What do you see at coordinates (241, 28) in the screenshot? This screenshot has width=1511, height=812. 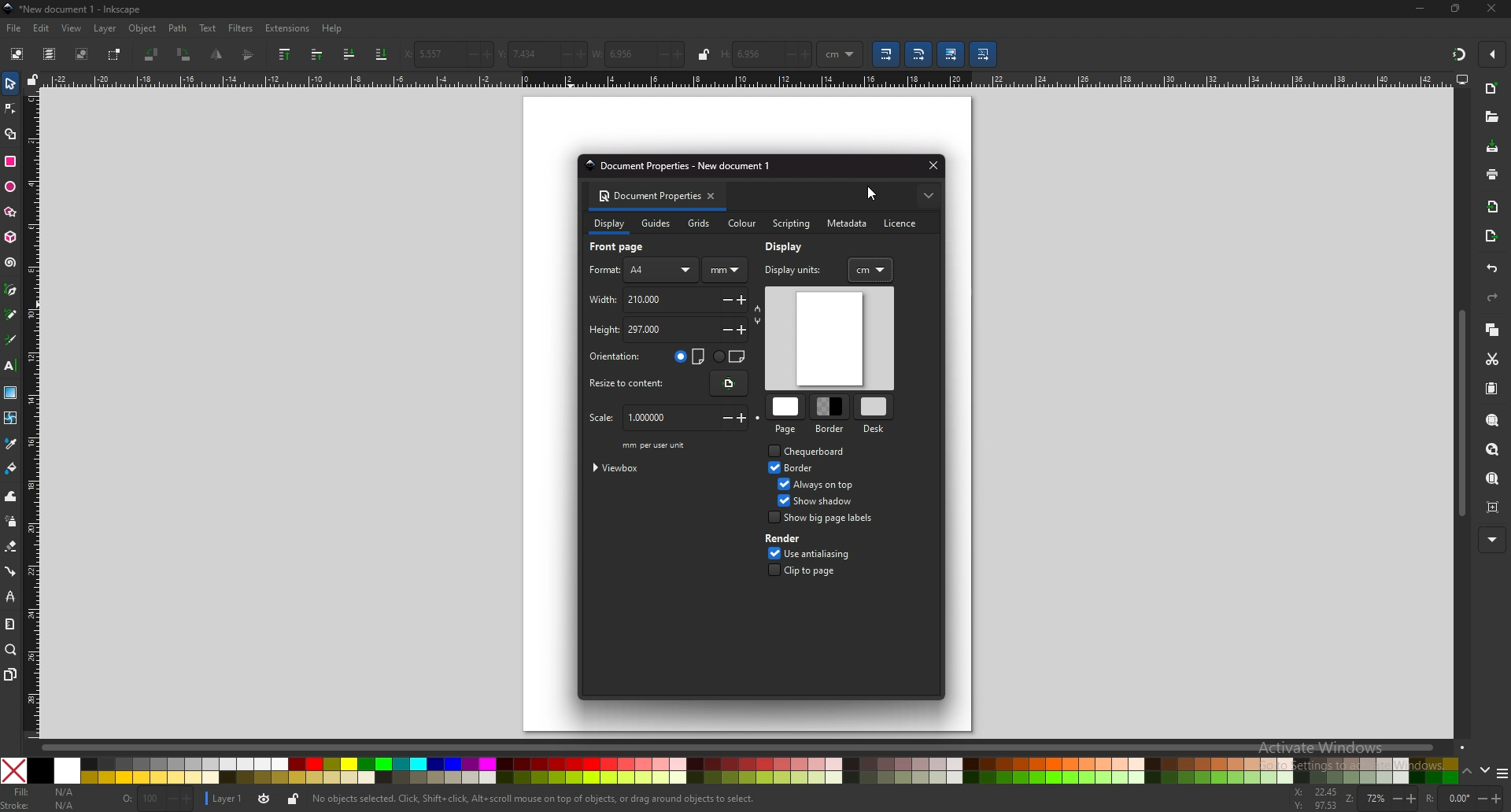 I see `filters` at bounding box center [241, 28].